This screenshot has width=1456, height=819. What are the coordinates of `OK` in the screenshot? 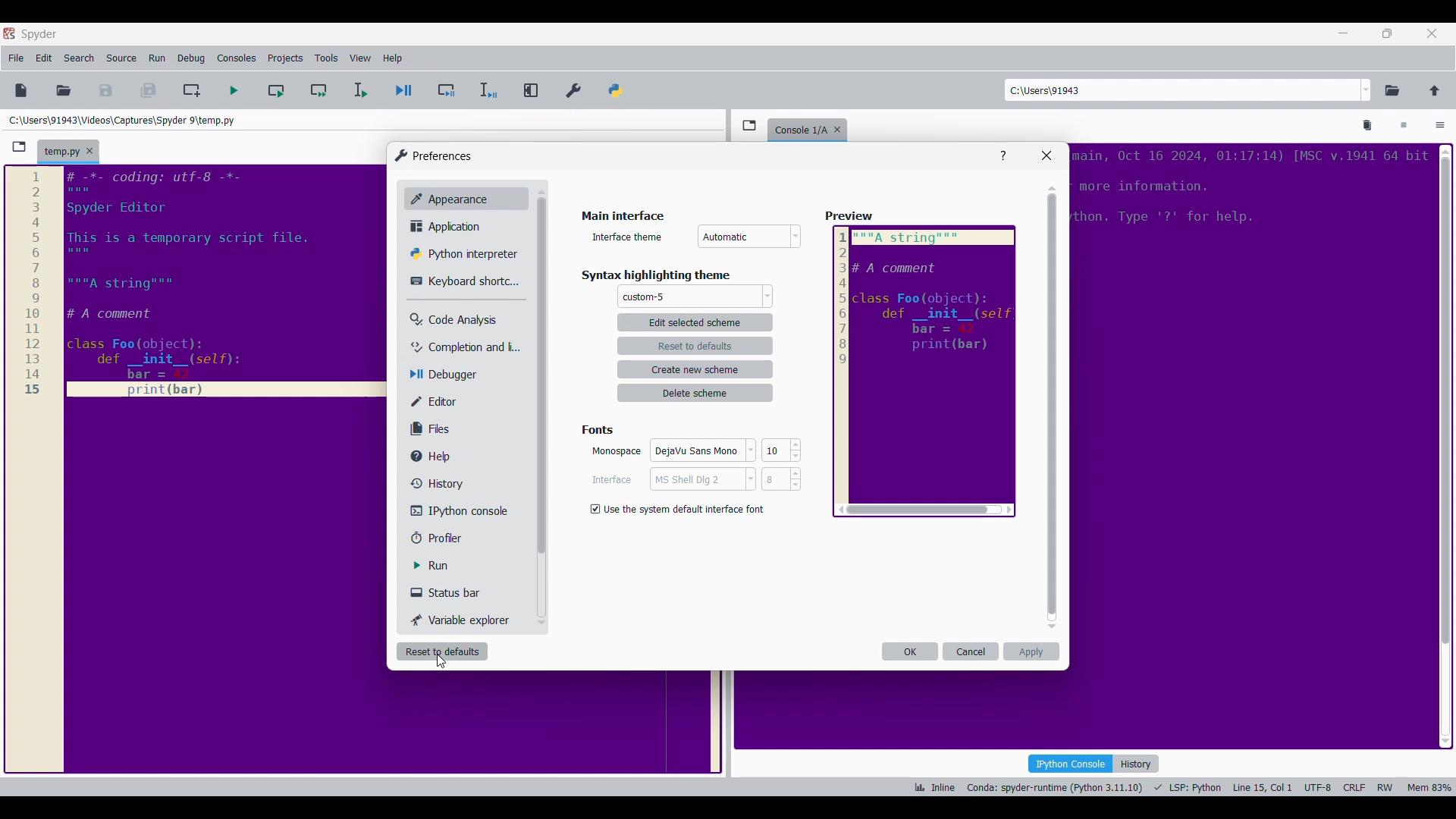 It's located at (910, 651).